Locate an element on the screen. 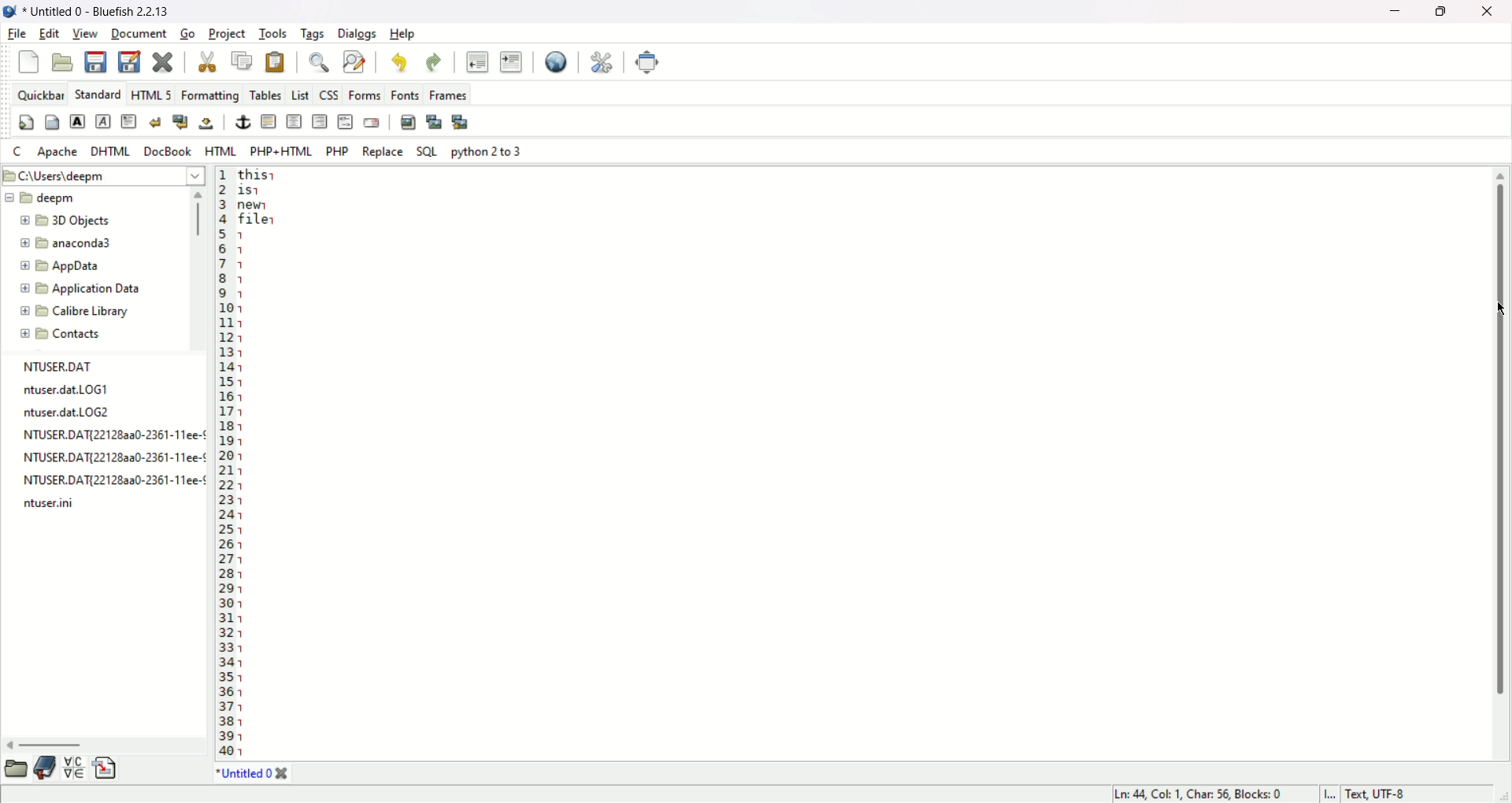  close is located at coordinates (164, 63).